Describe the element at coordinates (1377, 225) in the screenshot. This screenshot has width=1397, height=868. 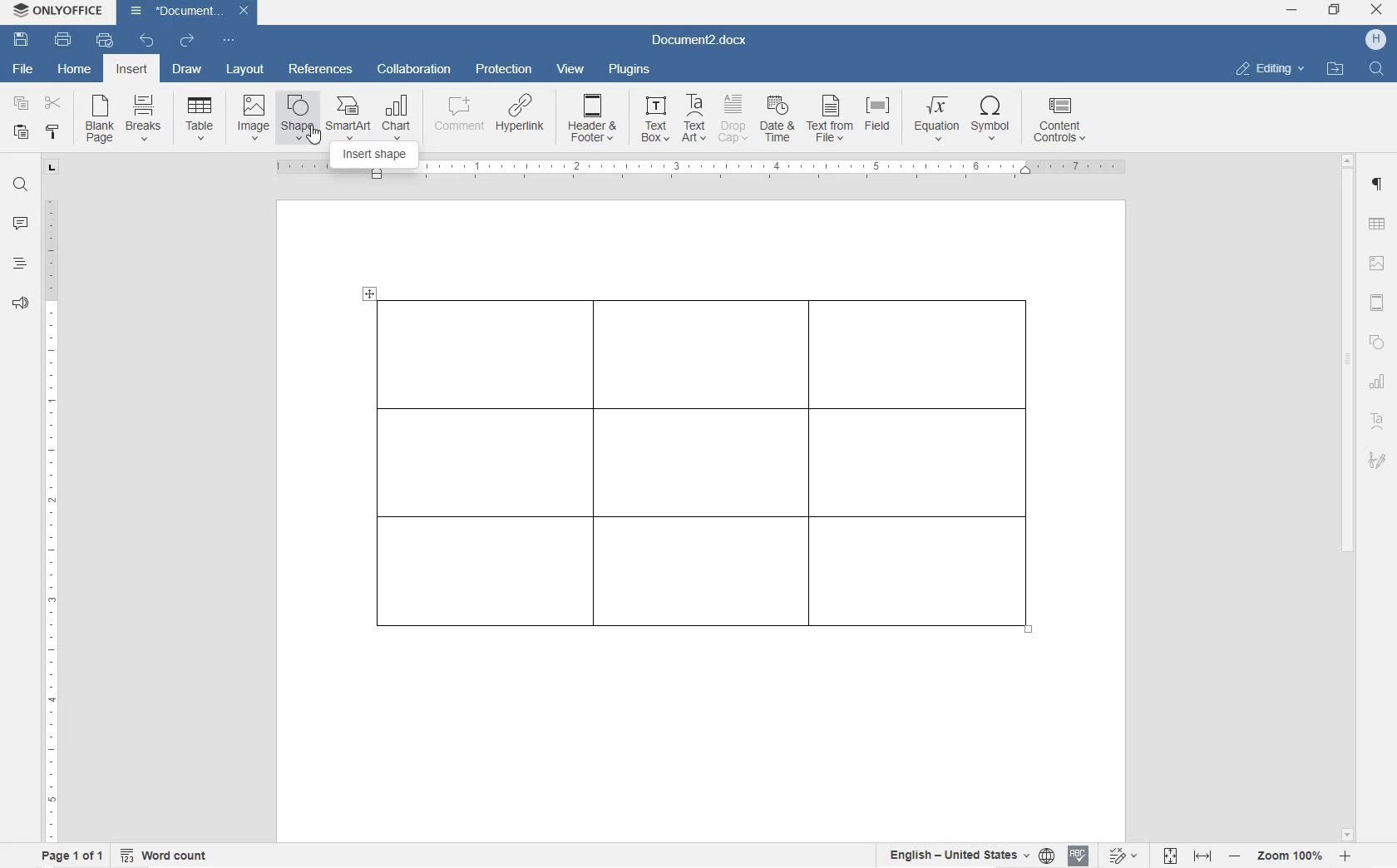
I see `table` at that location.